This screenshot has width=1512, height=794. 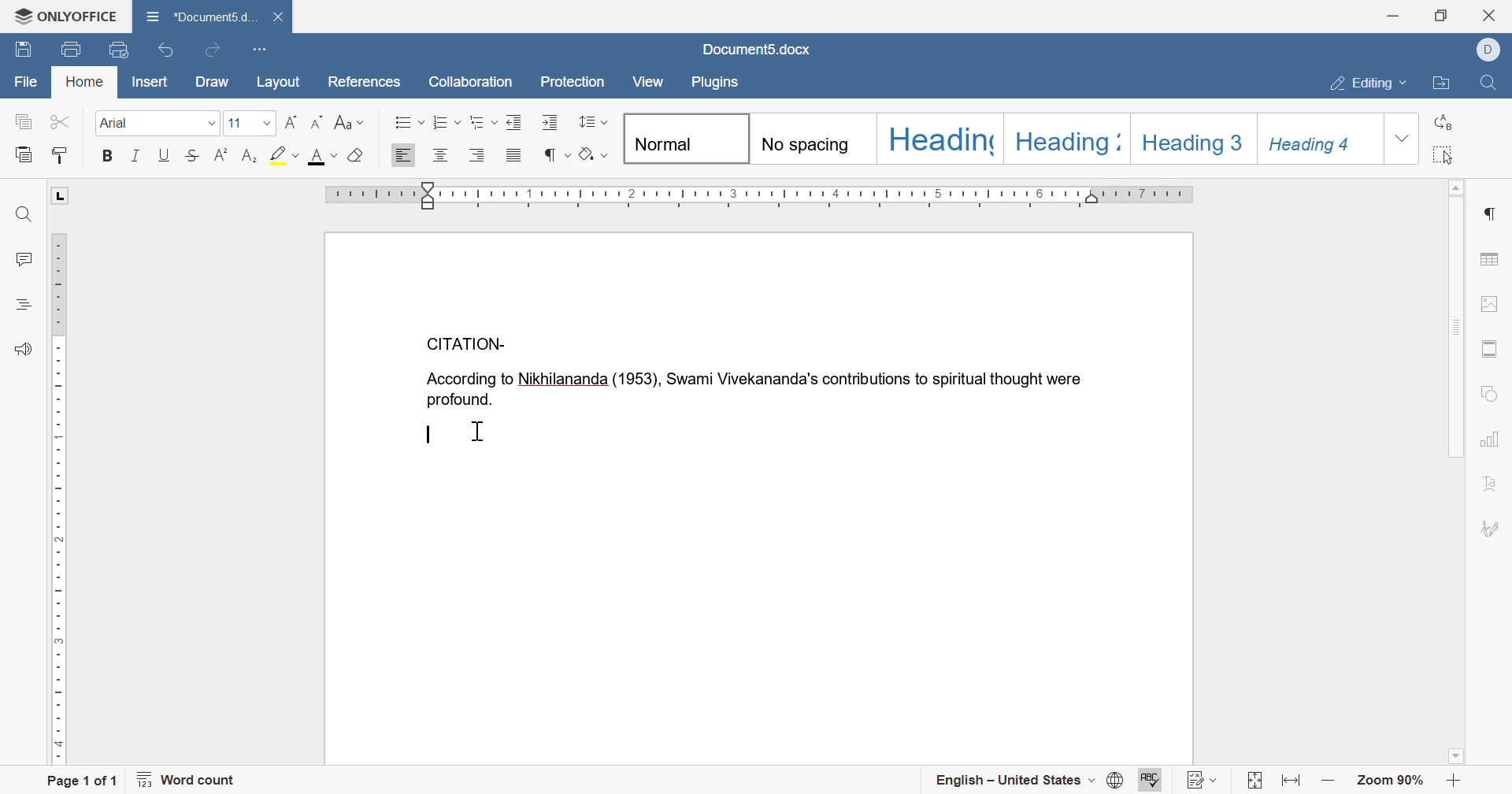 I want to click on replace all, so click(x=1443, y=121).